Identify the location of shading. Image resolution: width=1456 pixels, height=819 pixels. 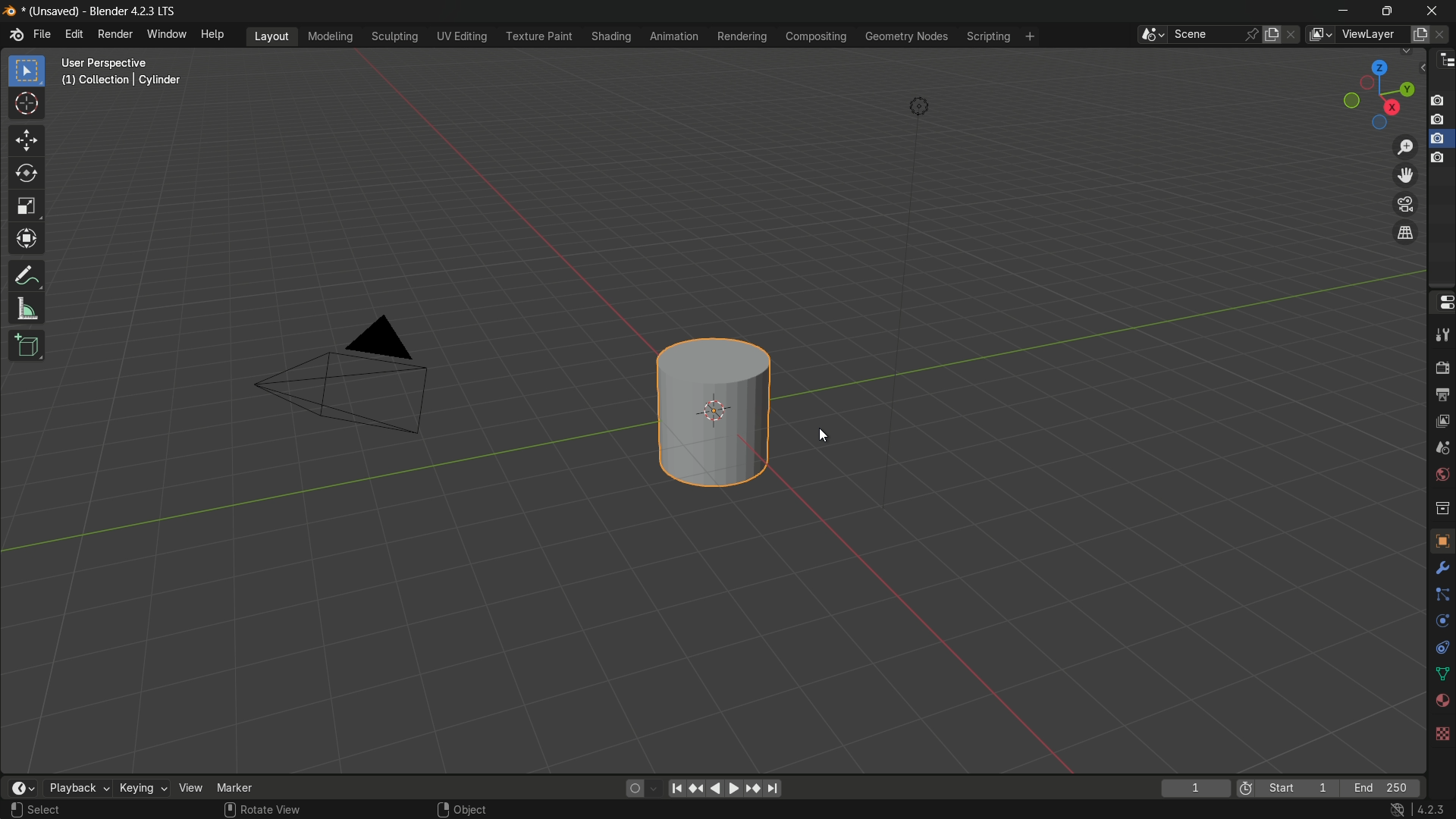
(609, 36).